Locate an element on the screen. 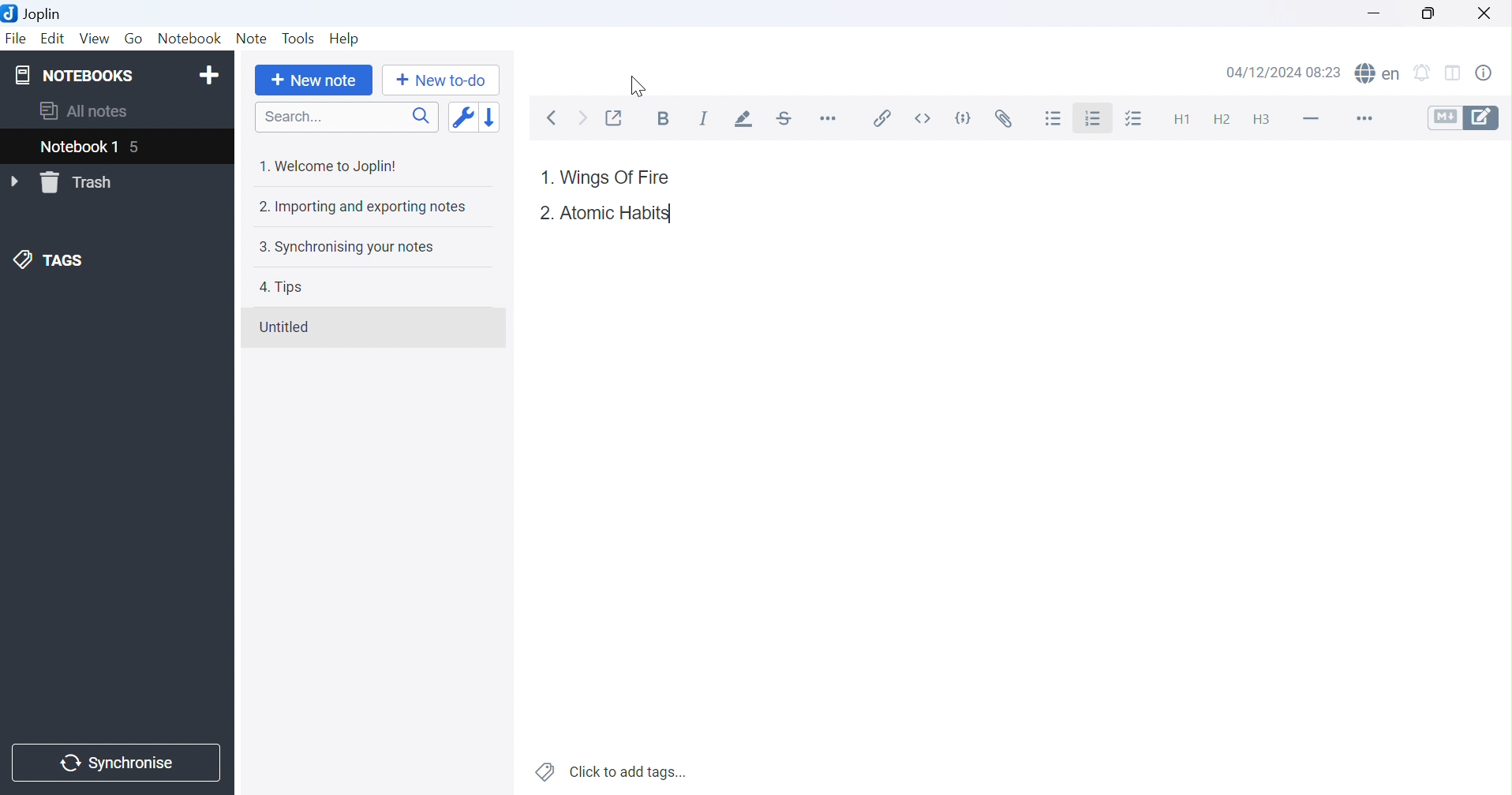  Search is located at coordinates (346, 117).